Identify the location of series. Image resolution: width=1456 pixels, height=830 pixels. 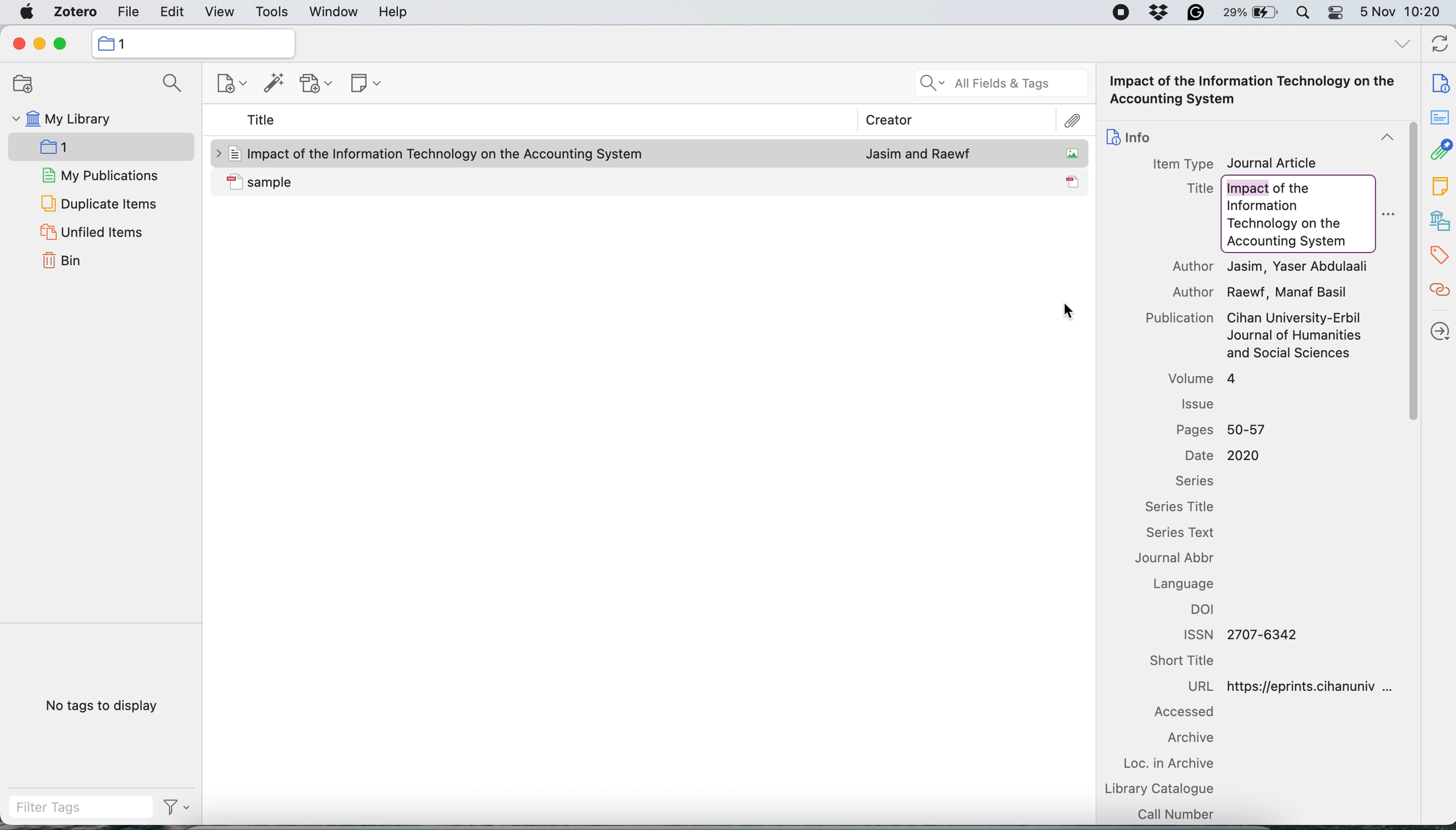
(1195, 482).